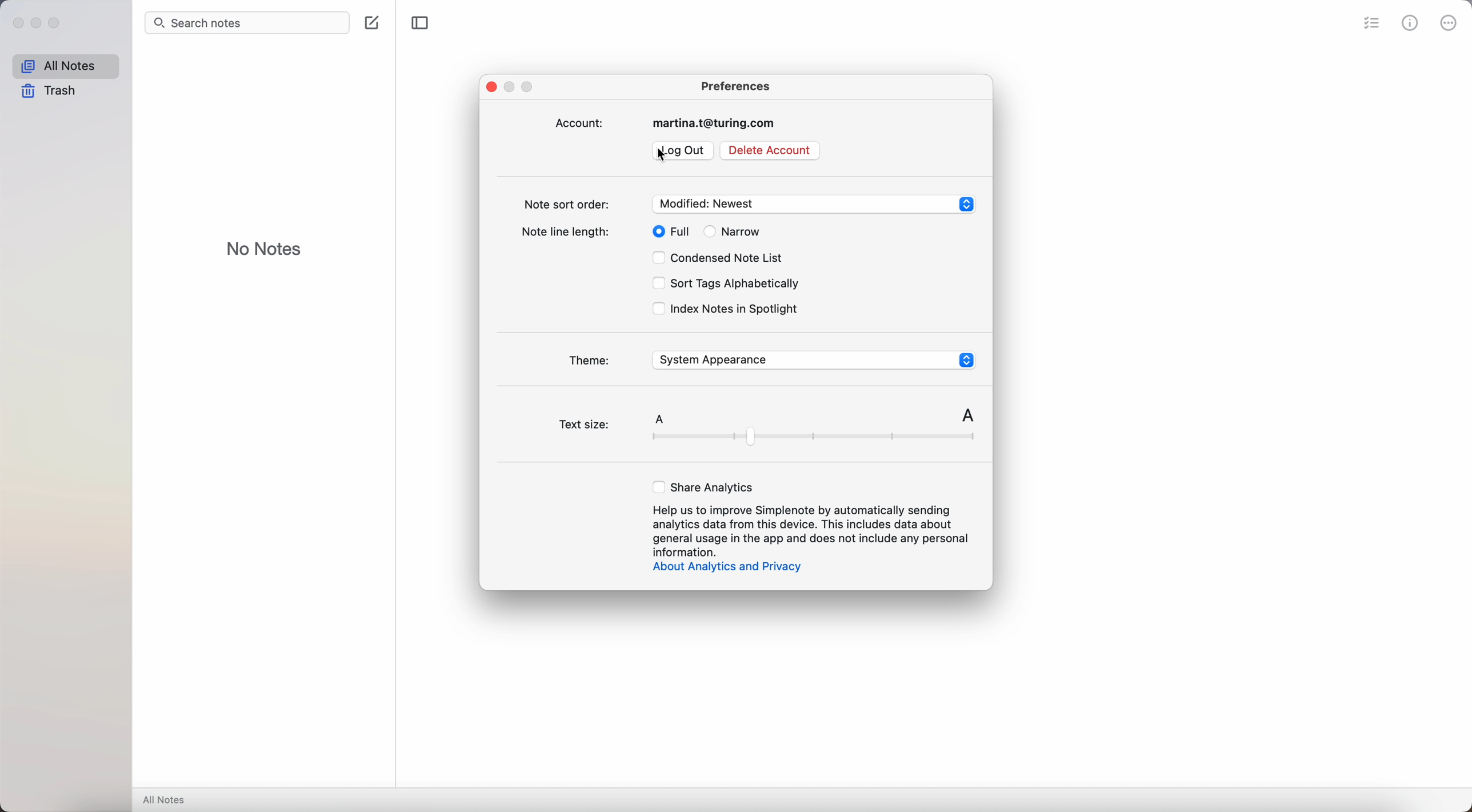 The height and width of the screenshot is (812, 1472). Describe the element at coordinates (564, 202) in the screenshot. I see `note sort order` at that location.